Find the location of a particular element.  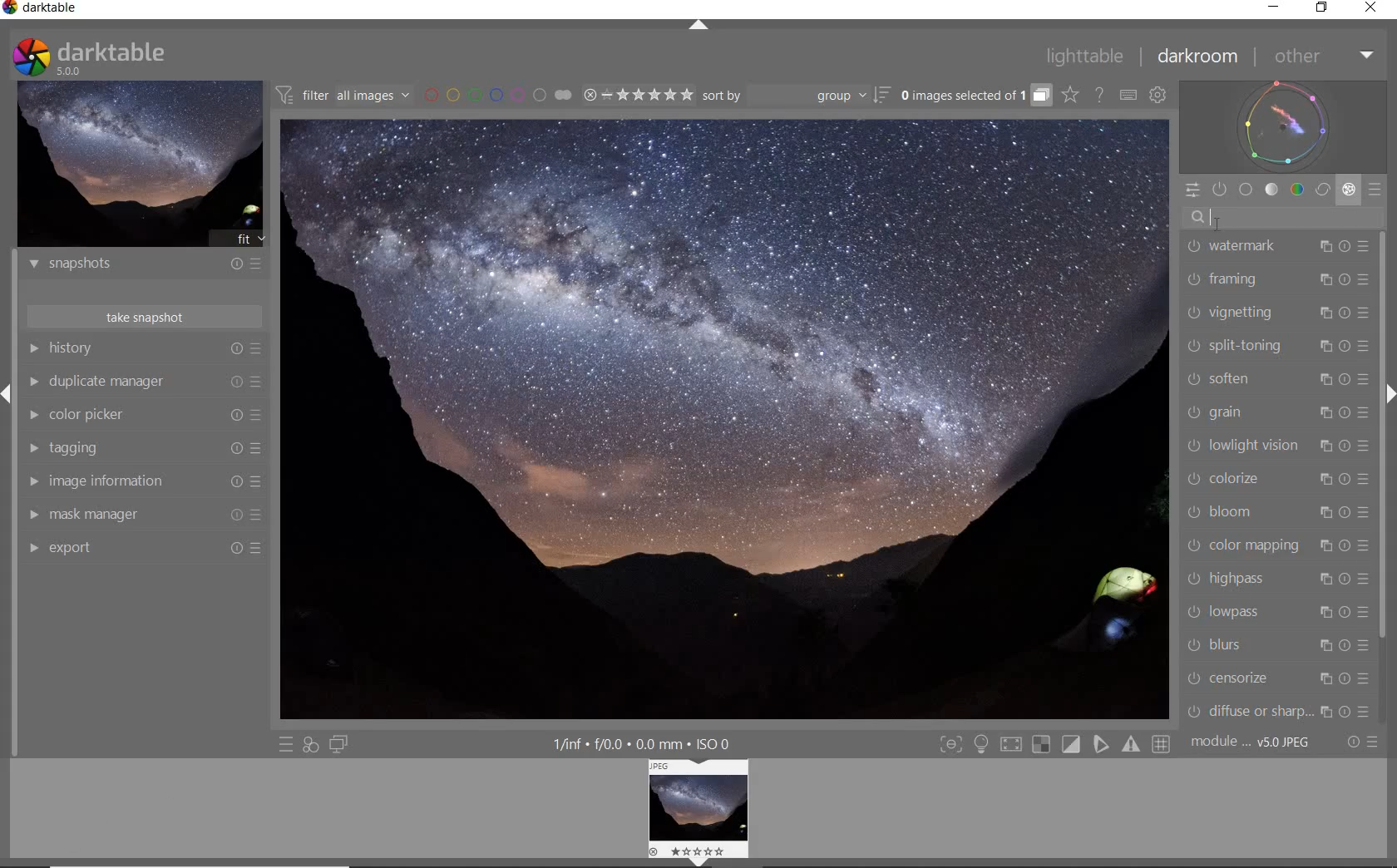

DUPLICATE MANAGER is located at coordinates (36, 382).